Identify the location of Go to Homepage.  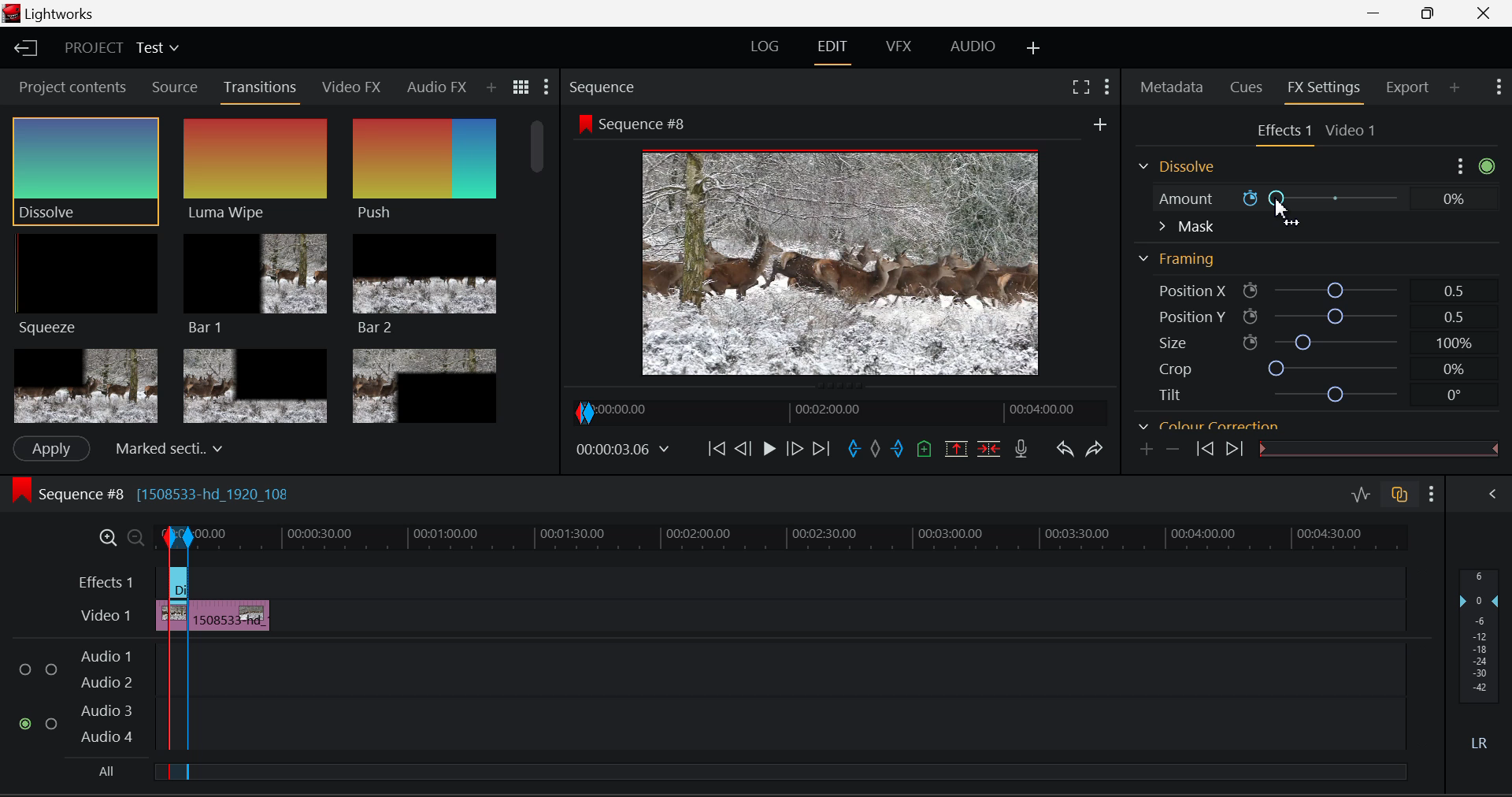
(27, 50).